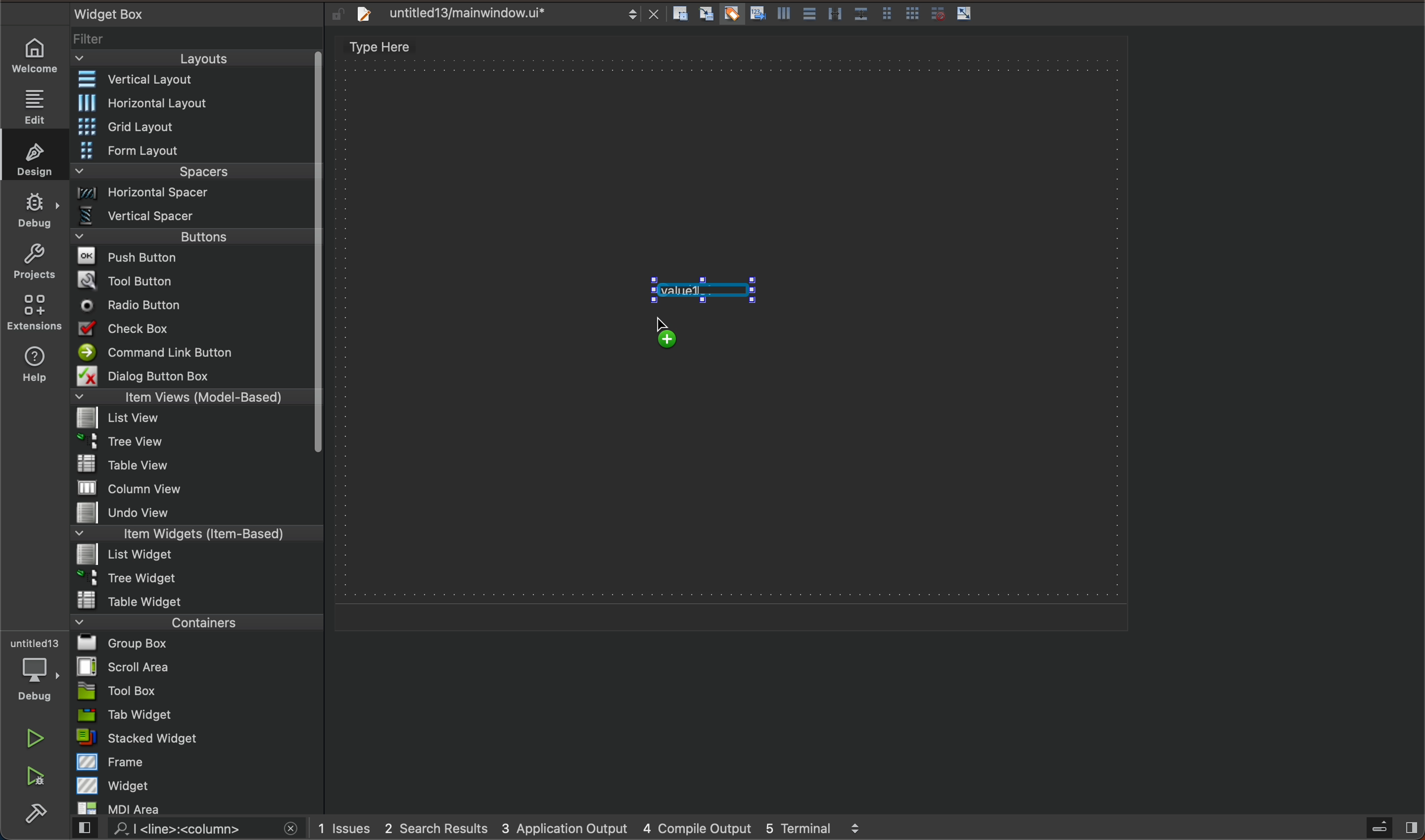 This screenshot has height=840, width=1425. Describe the element at coordinates (199, 714) in the screenshot. I see `tab` at that location.